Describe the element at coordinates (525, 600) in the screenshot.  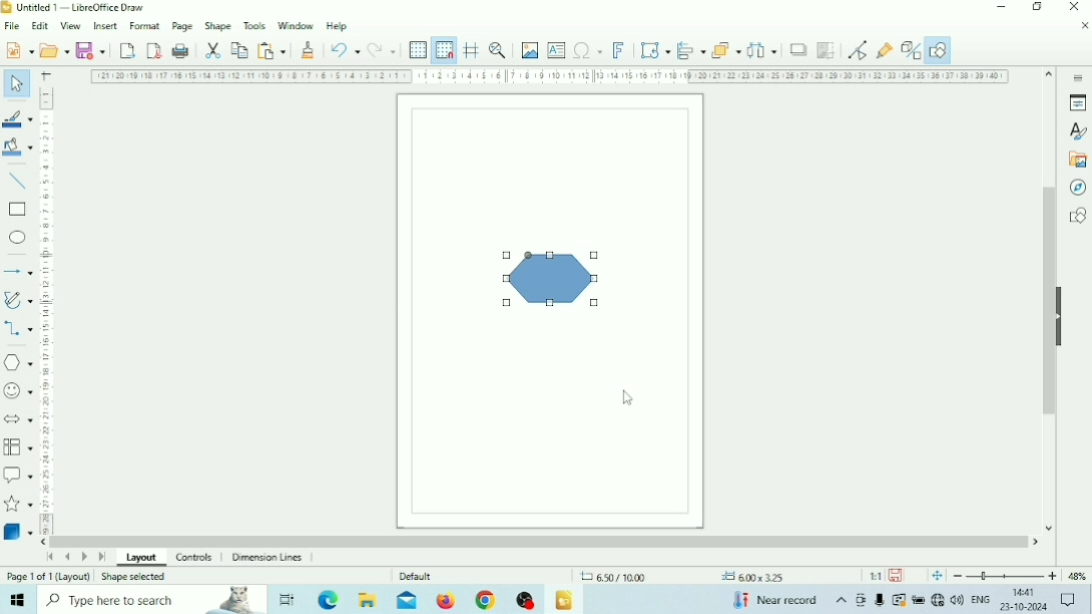
I see `OBS Studio` at that location.